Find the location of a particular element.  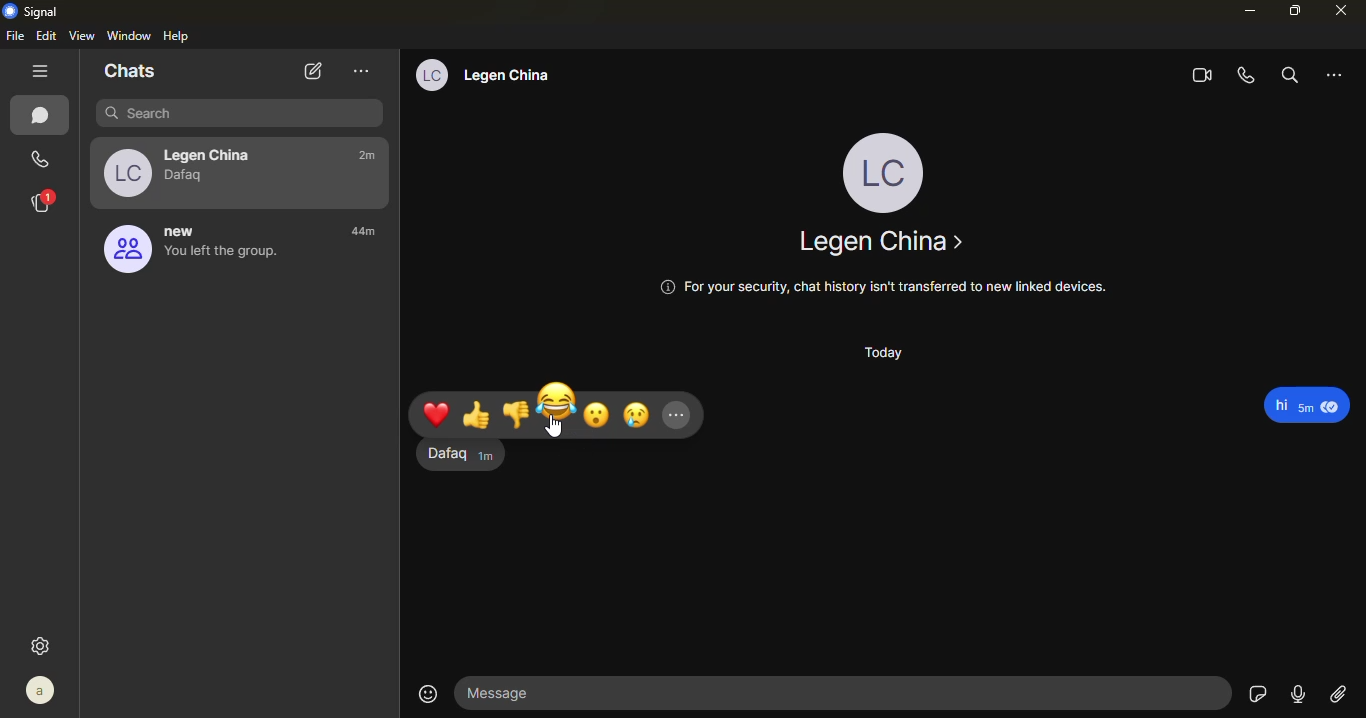

profile is located at coordinates (42, 690).